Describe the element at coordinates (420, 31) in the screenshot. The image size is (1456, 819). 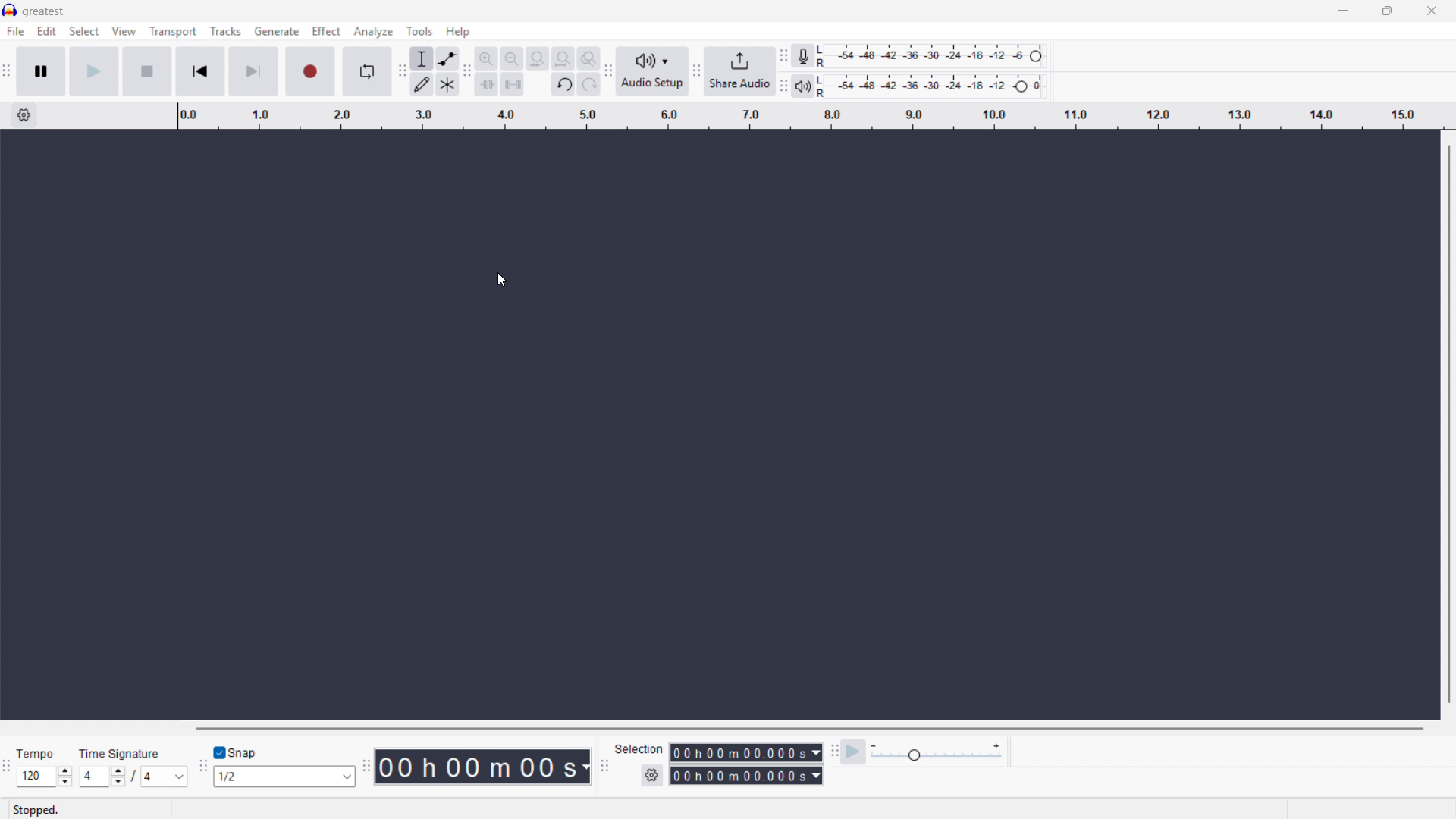
I see `Tools ` at that location.